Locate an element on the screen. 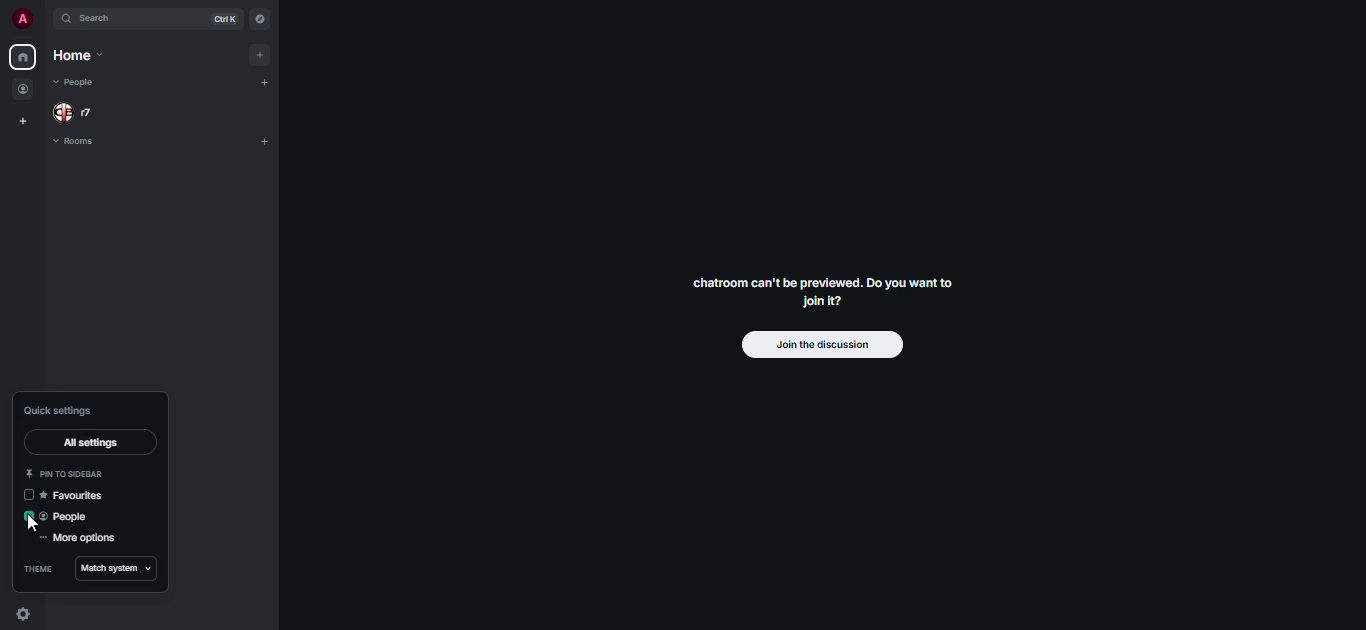 This screenshot has width=1366, height=630. search is located at coordinates (96, 19).